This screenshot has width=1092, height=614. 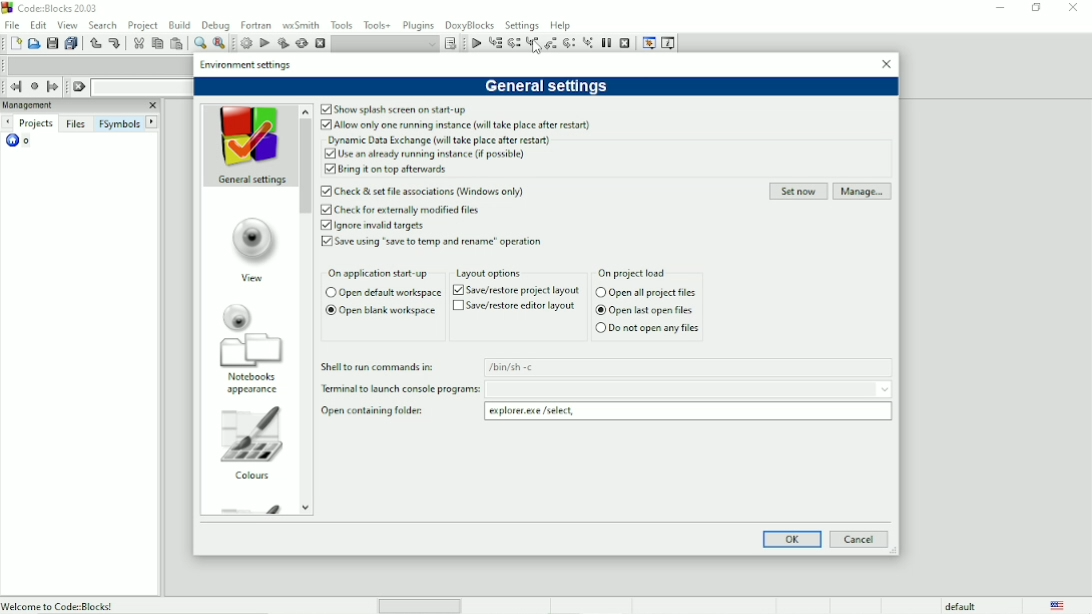 I want to click on Environment settings, so click(x=245, y=64).